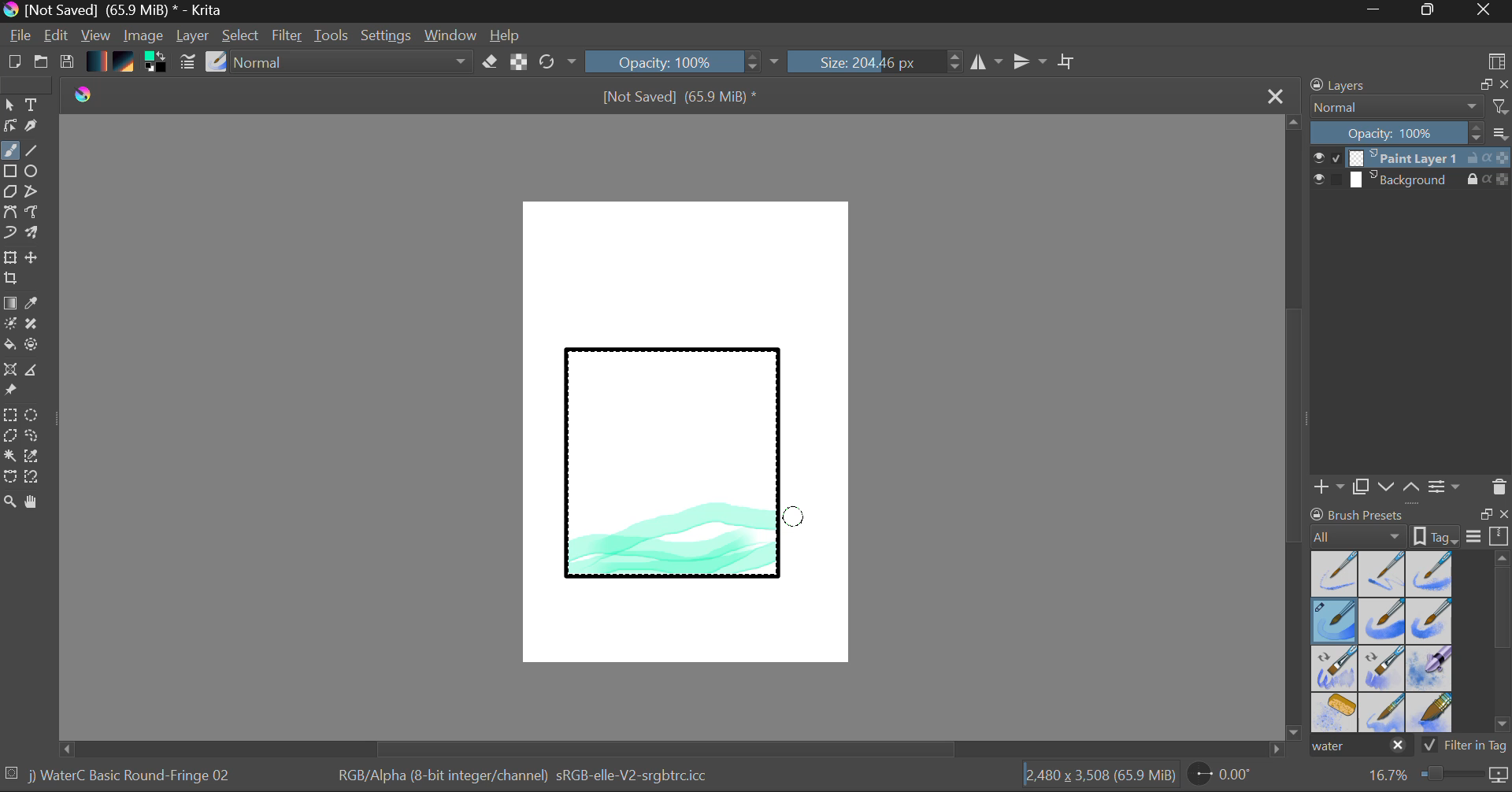  I want to click on Rectangle Shape Selected, so click(674, 479).